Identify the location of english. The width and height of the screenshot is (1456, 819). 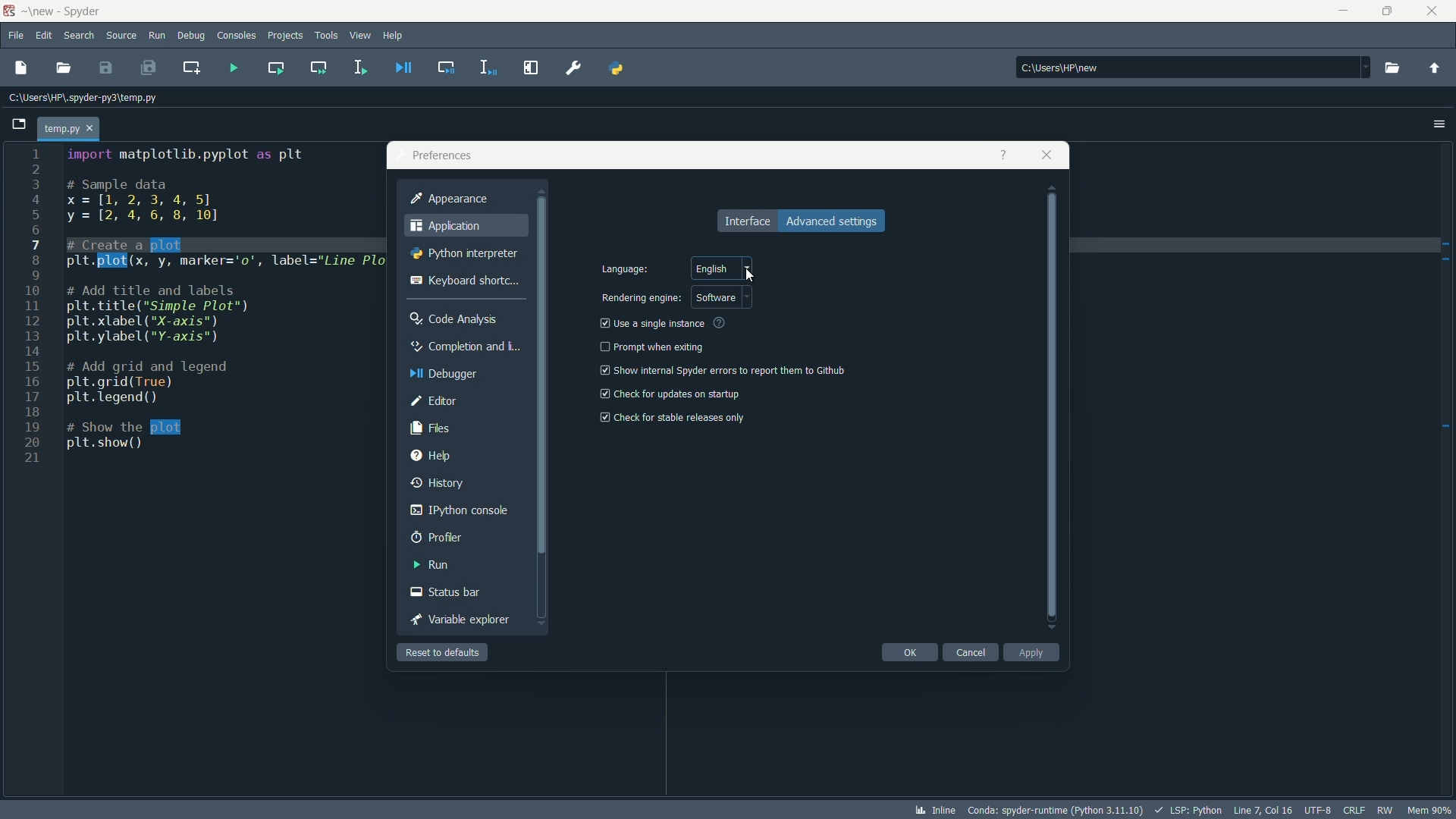
(722, 268).